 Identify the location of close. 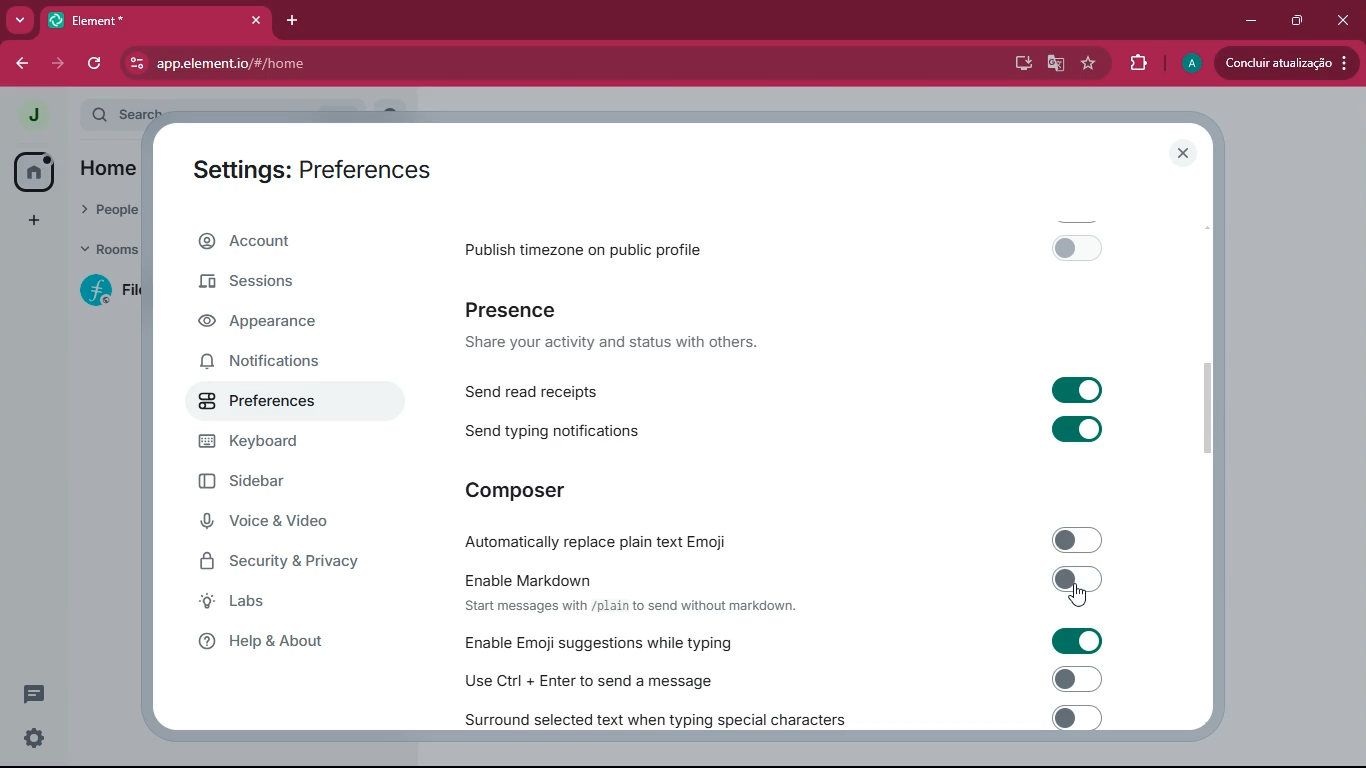
(1341, 20).